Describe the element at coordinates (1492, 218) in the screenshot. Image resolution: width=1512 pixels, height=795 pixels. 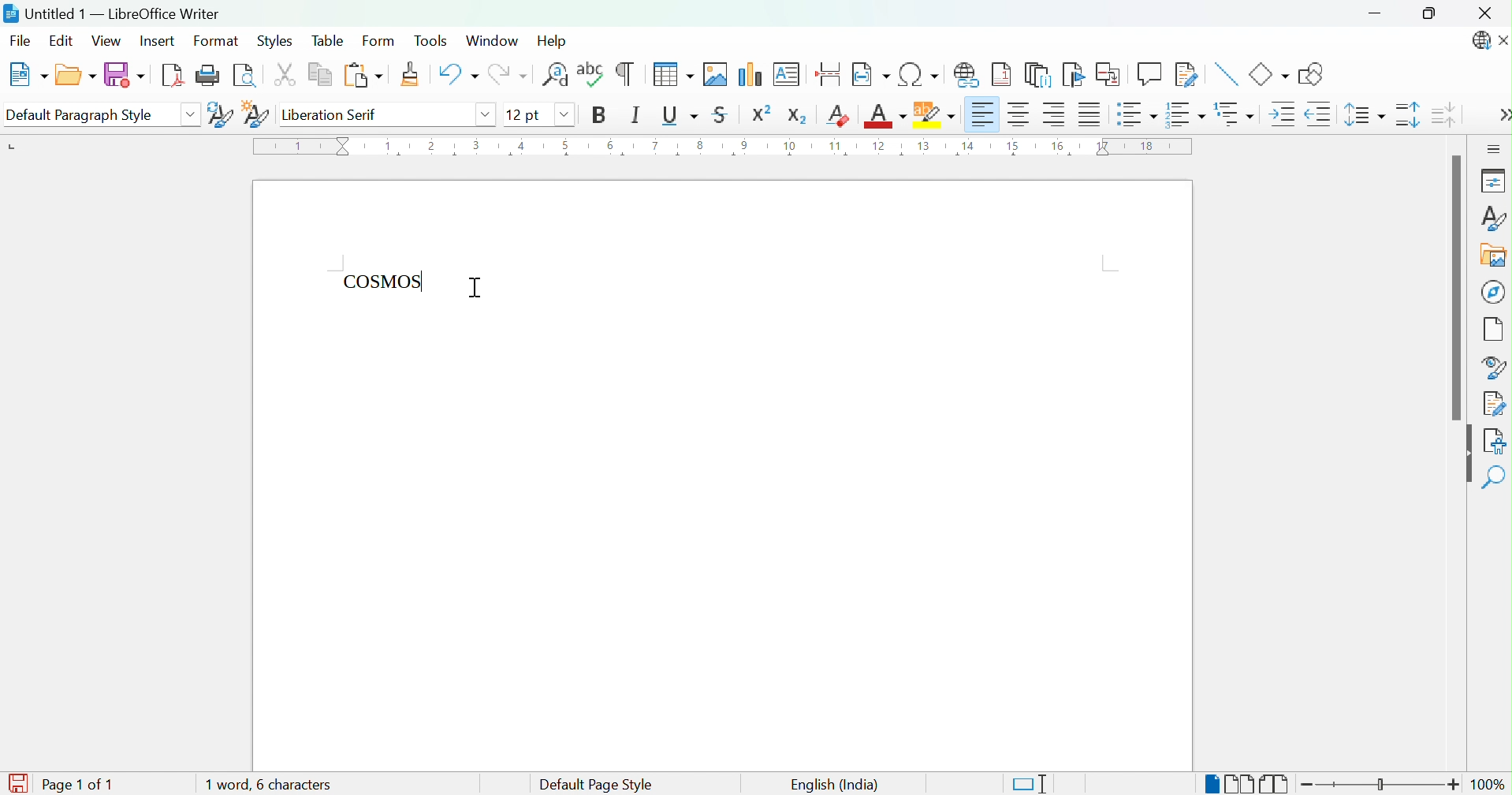
I see `Styles` at that location.